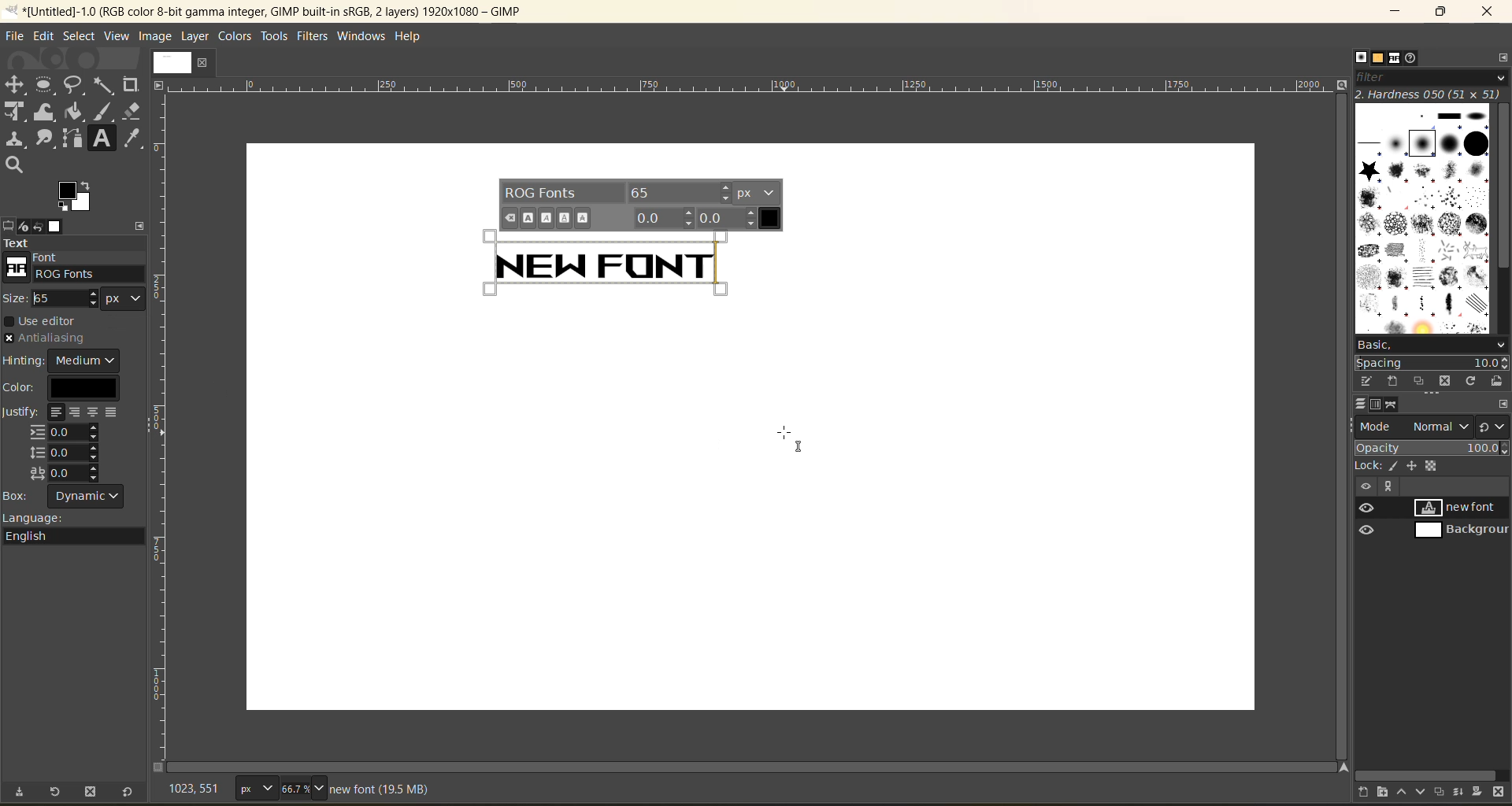  I want to click on metadata, so click(384, 788).